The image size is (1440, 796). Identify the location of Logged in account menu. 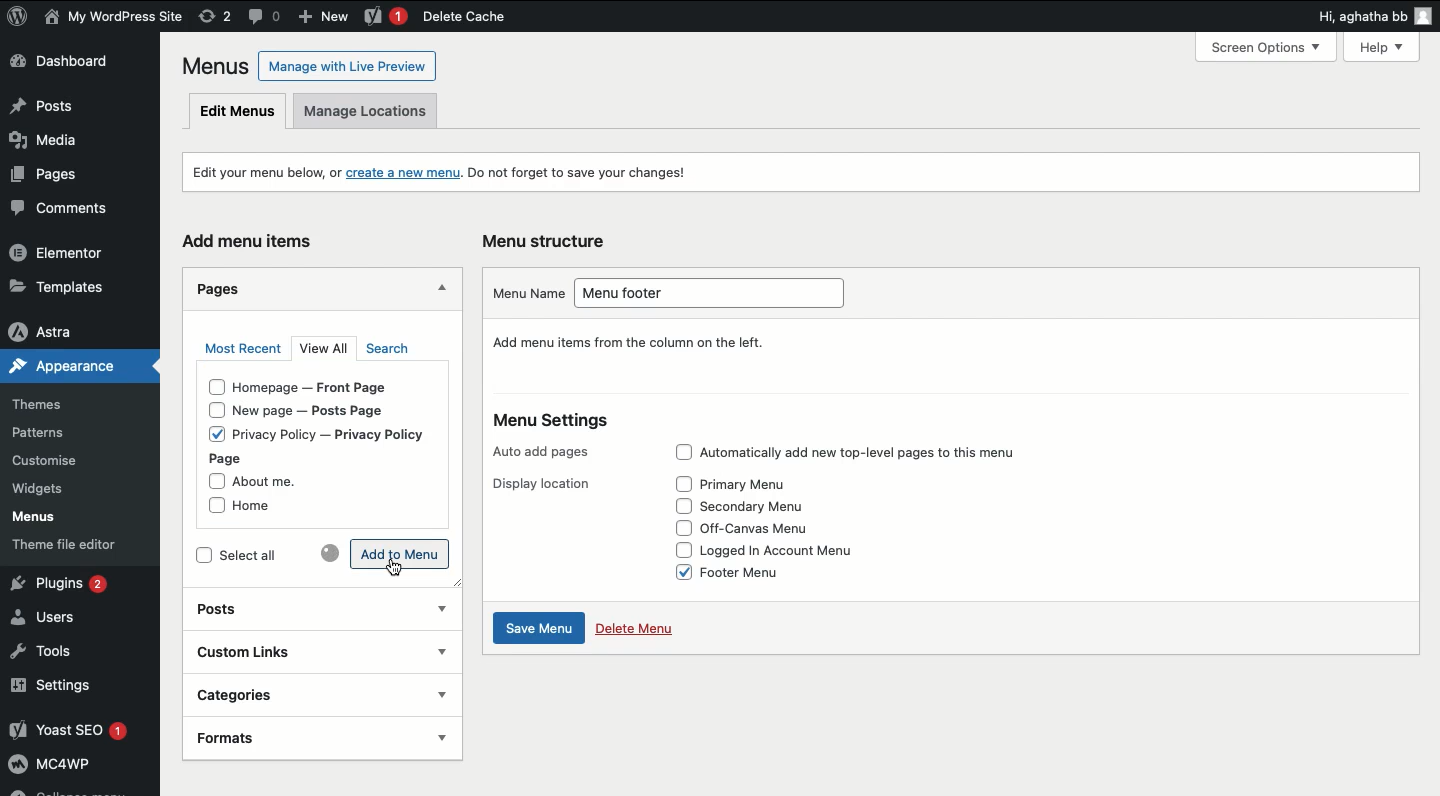
(794, 550).